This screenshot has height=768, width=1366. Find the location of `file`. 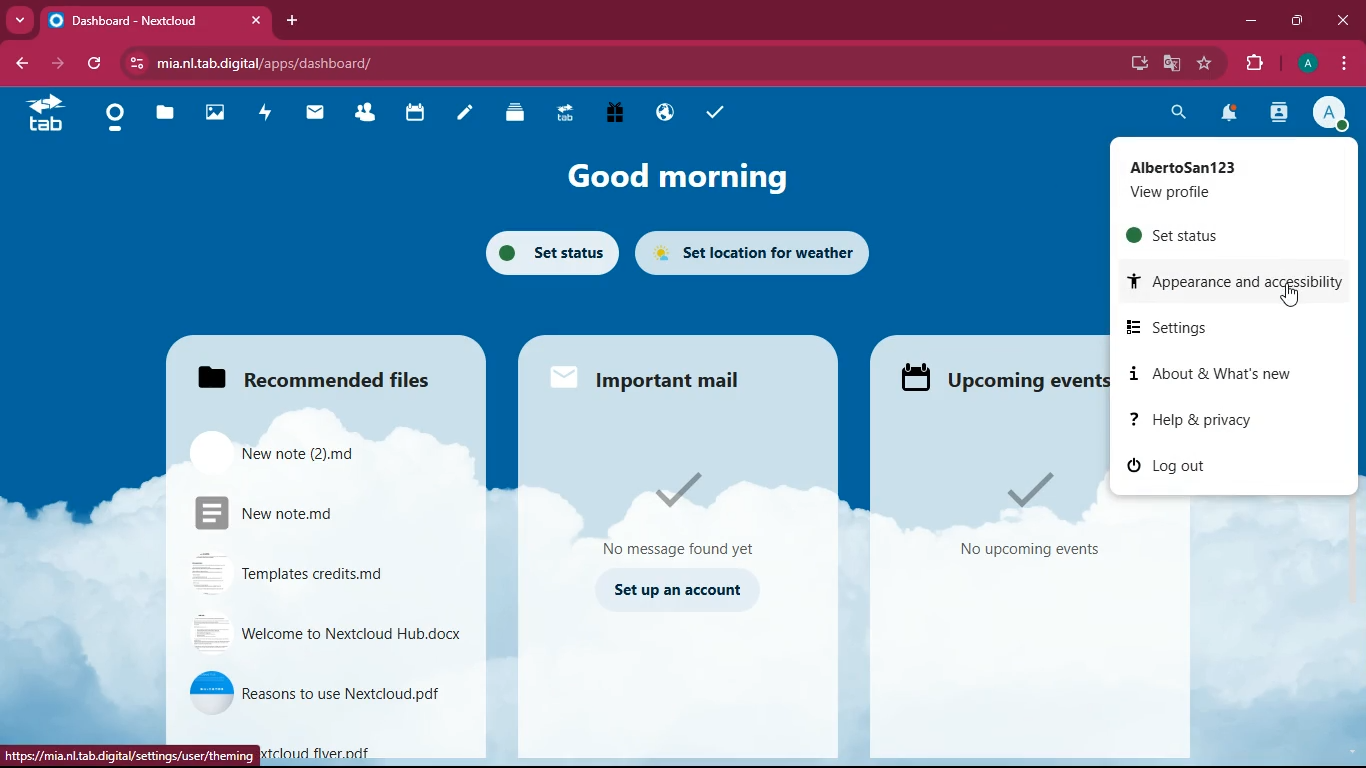

file is located at coordinates (361, 748).